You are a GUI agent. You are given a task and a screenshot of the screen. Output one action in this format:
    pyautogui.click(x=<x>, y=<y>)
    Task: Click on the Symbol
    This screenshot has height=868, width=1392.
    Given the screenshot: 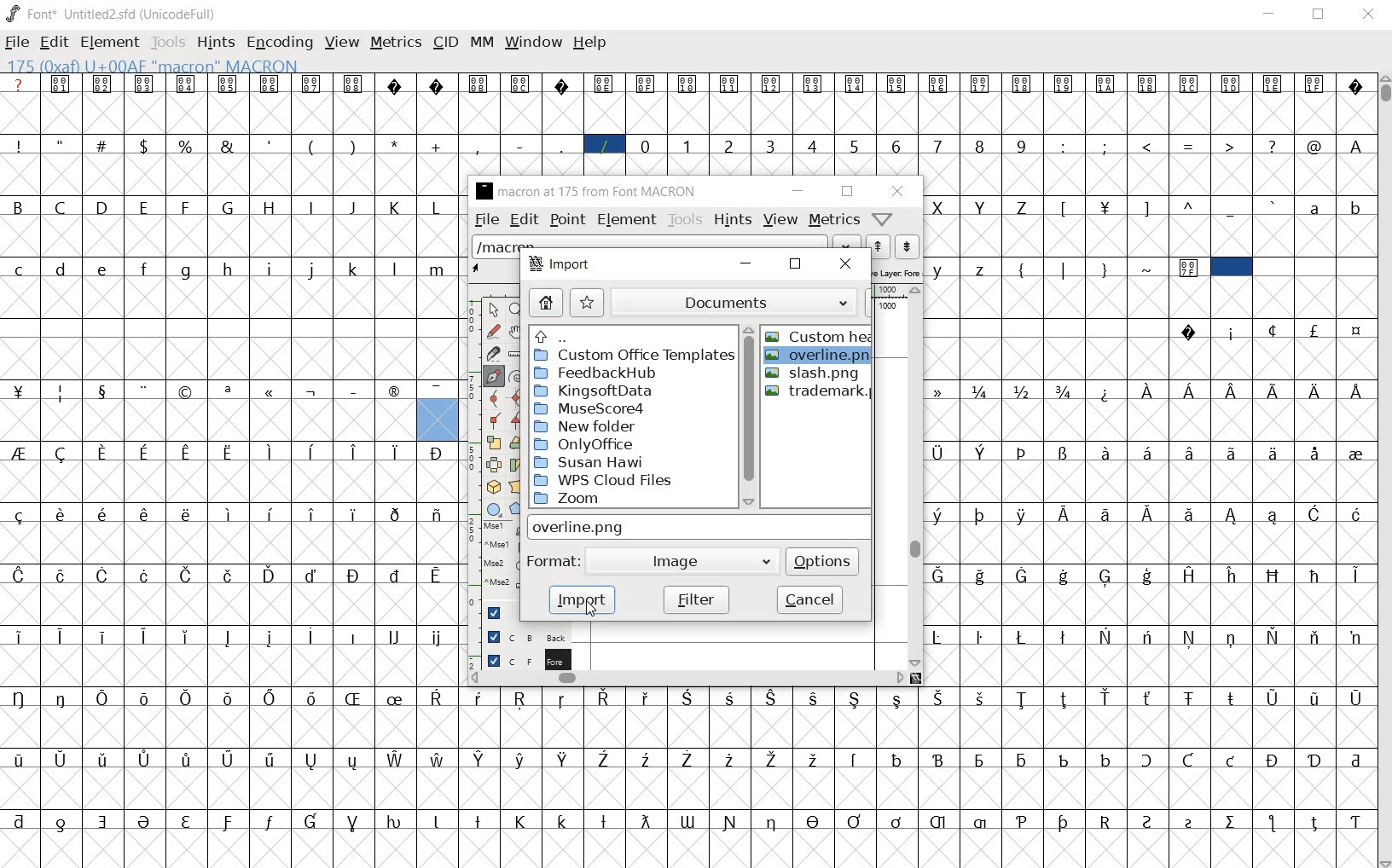 What is the action you would take?
    pyautogui.click(x=1064, y=575)
    